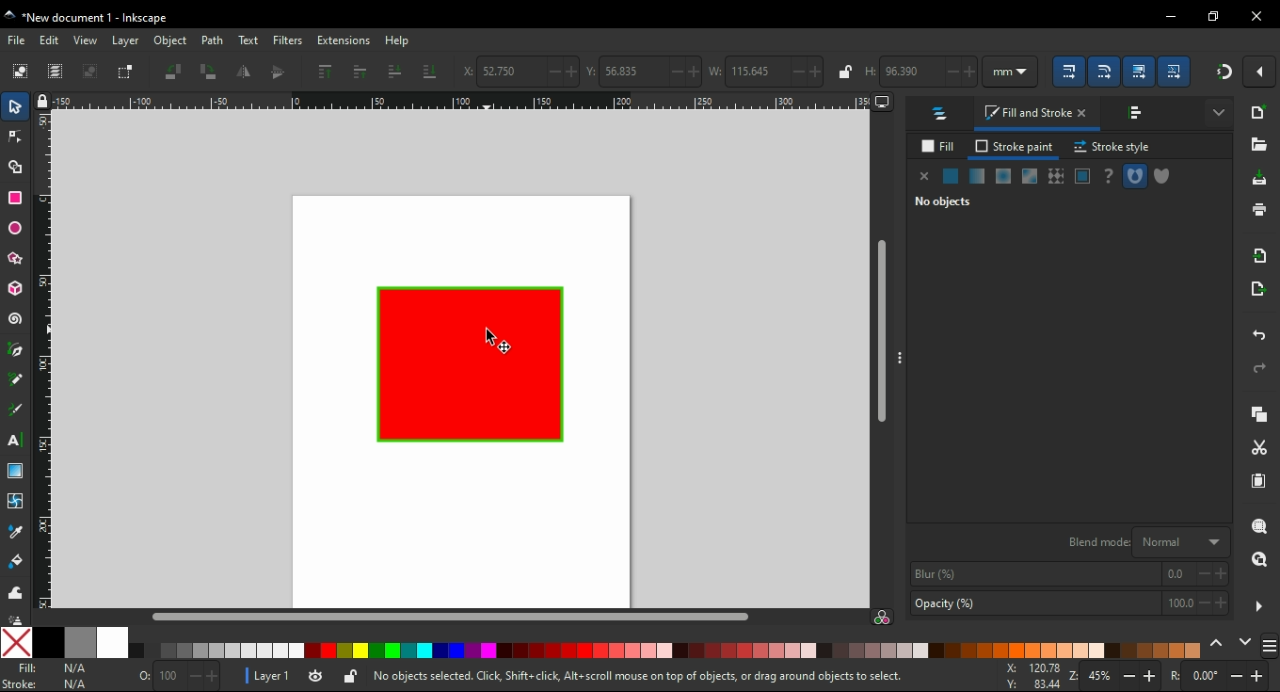 The width and height of the screenshot is (1280, 692). Describe the element at coordinates (754, 71) in the screenshot. I see `115` at that location.